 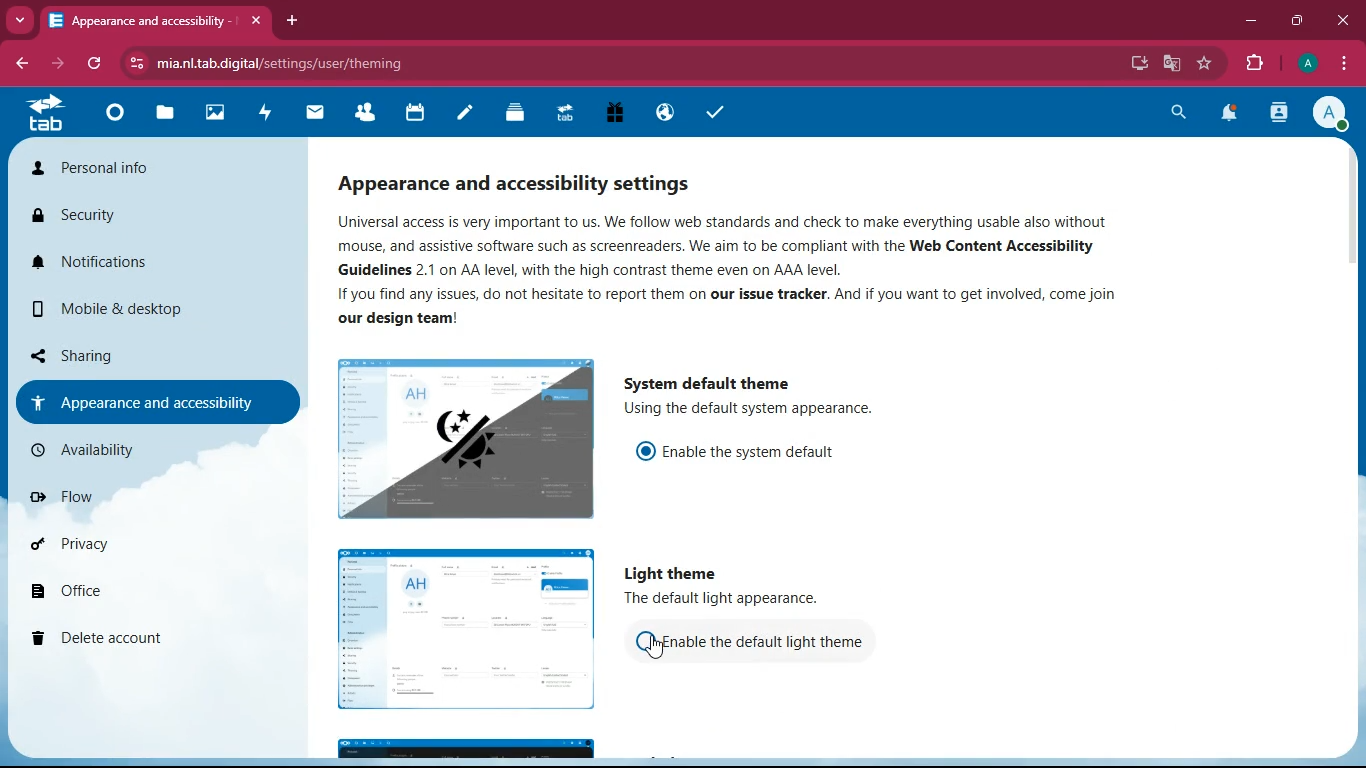 I want to click on close, so click(x=1346, y=21).